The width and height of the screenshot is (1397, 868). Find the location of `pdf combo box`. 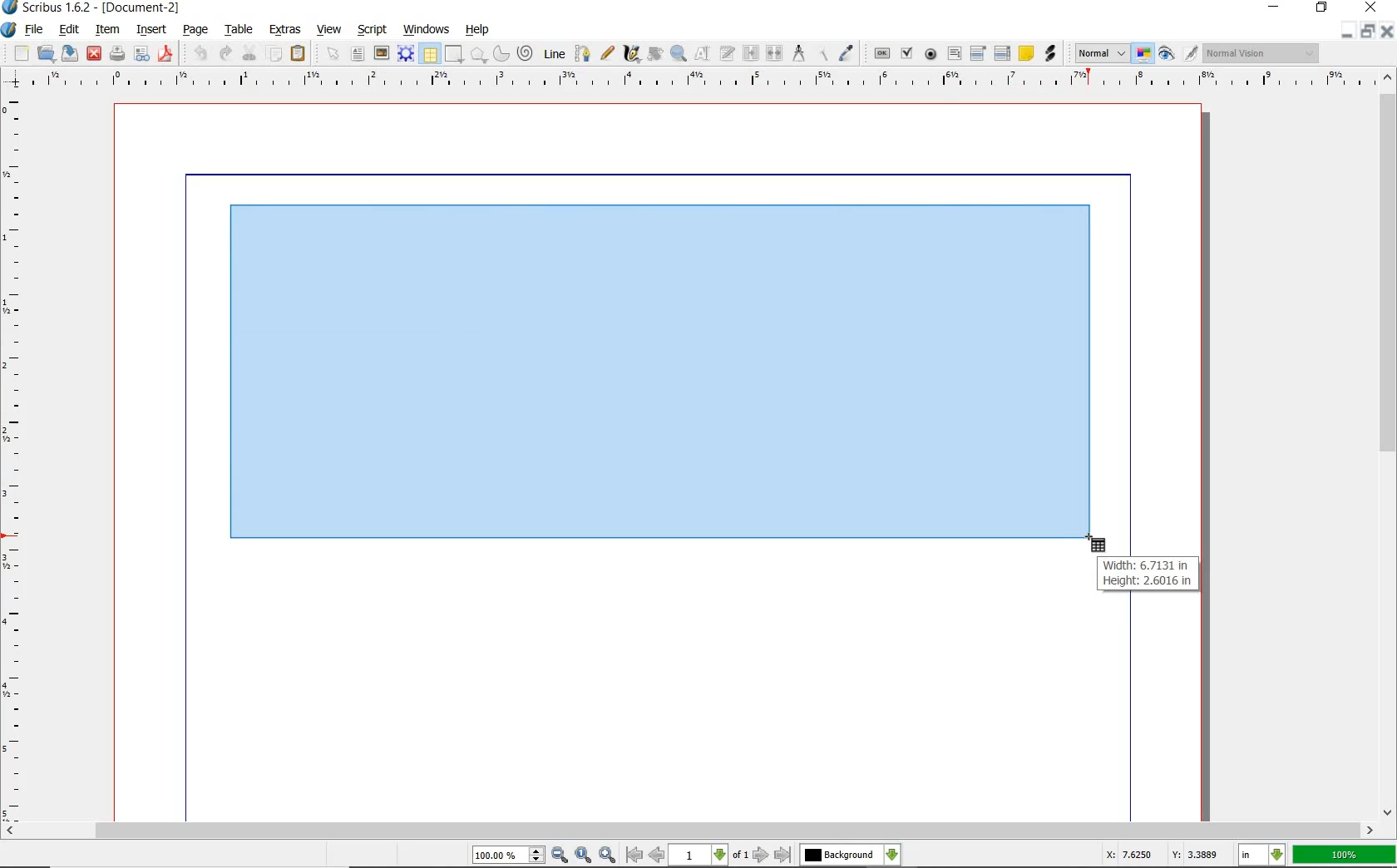

pdf combo box is located at coordinates (979, 53).